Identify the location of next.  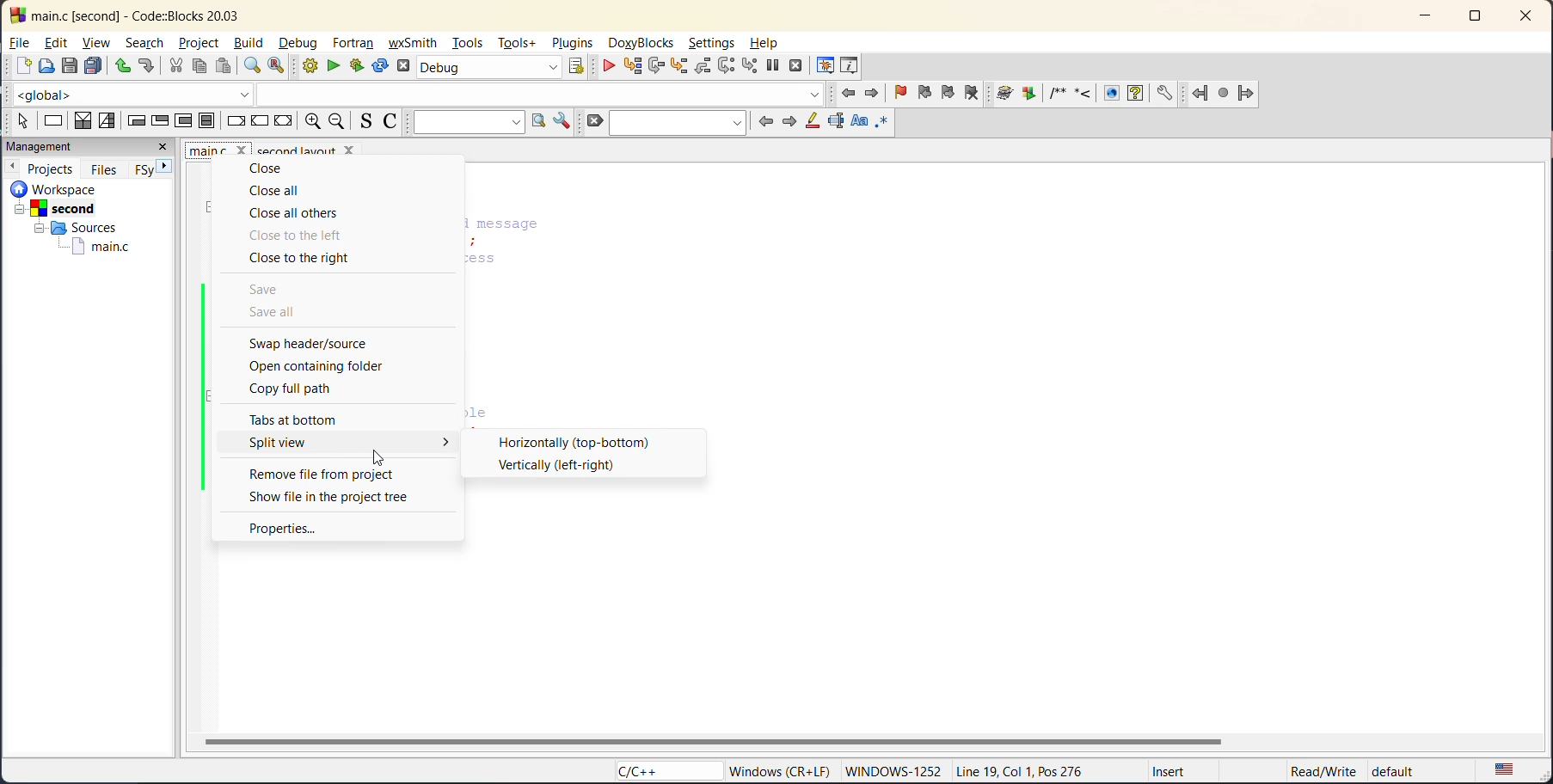
(166, 168).